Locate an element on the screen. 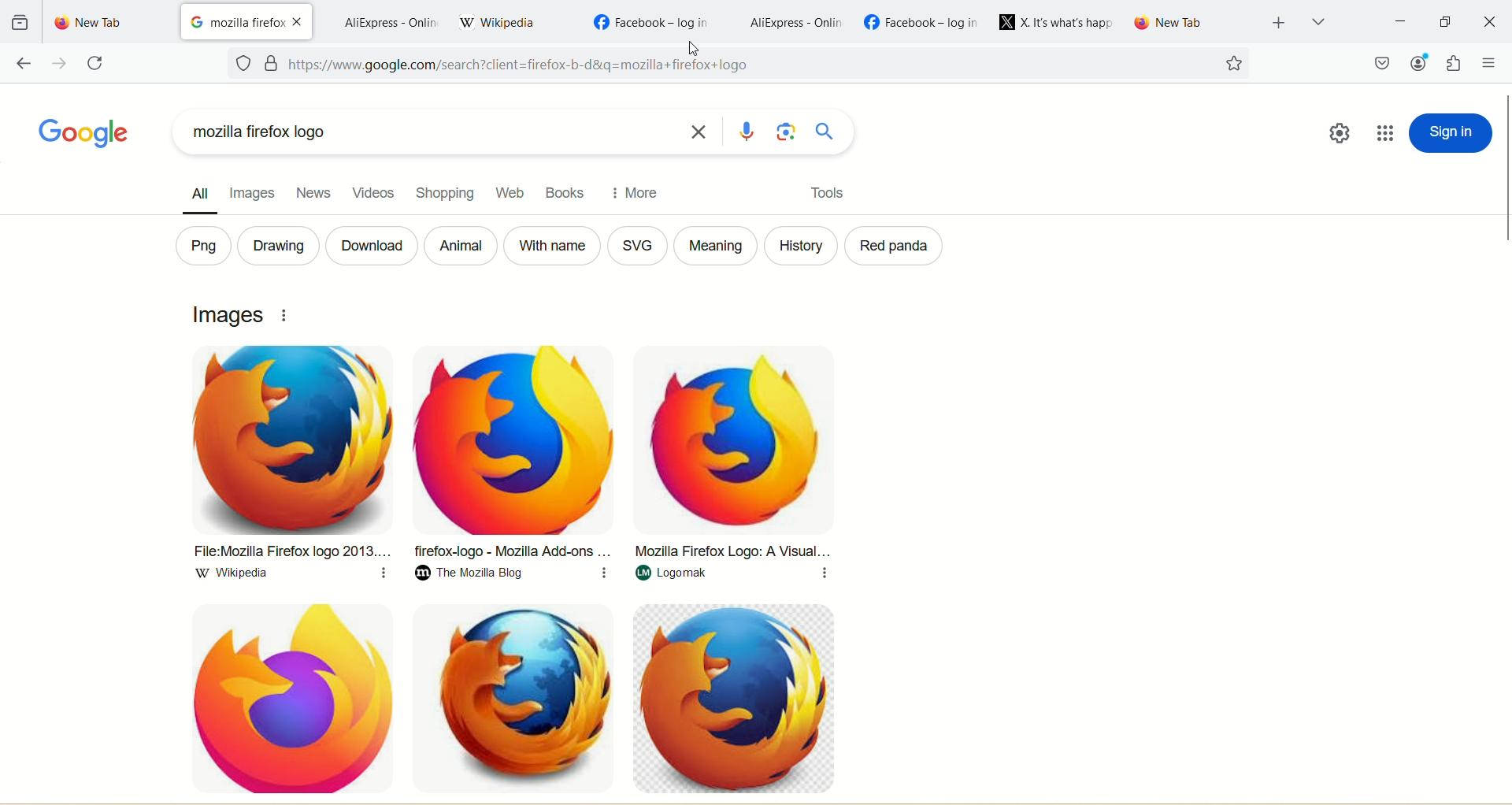  history is located at coordinates (806, 246).